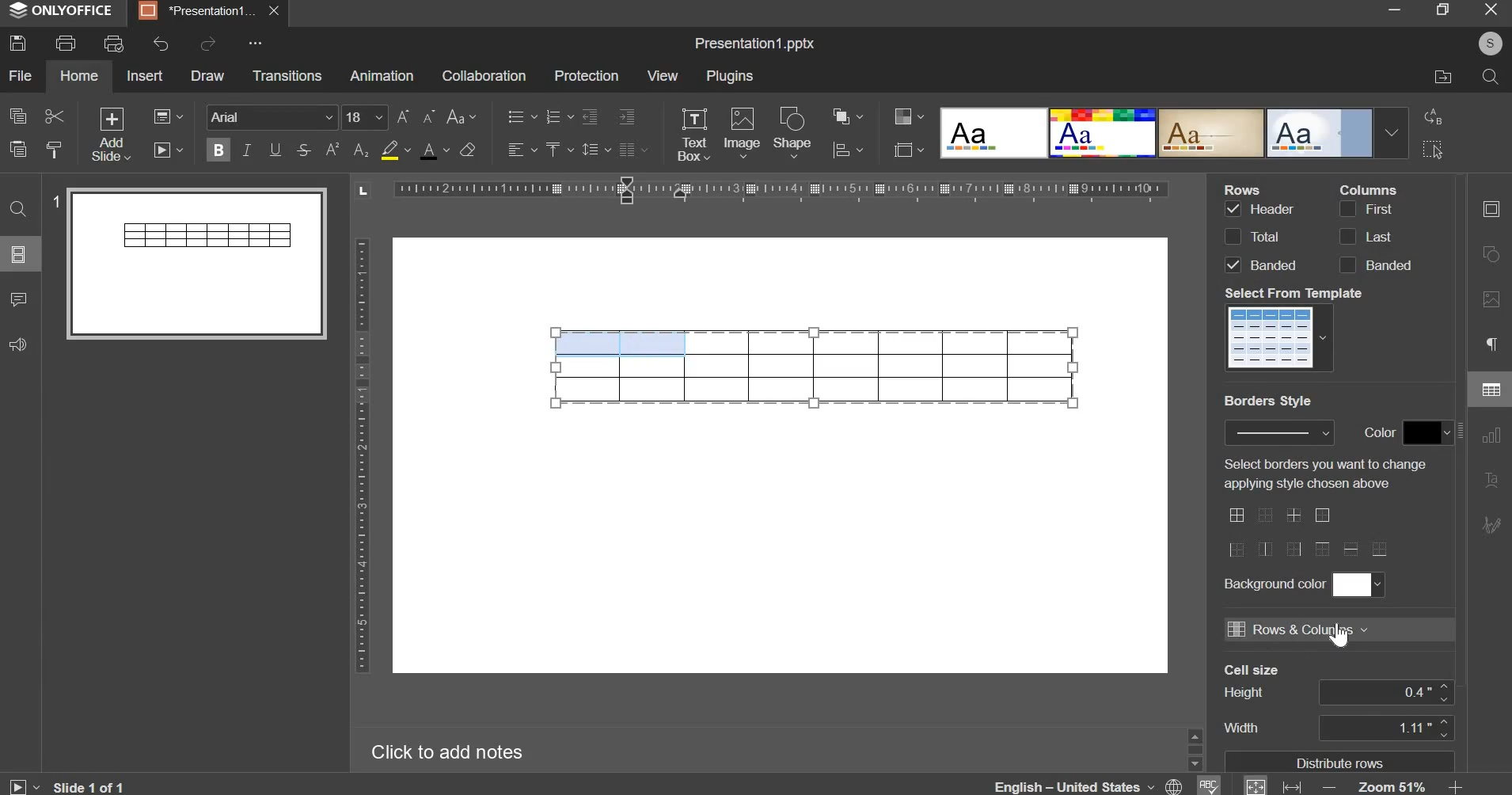  What do you see at coordinates (754, 44) in the screenshot?
I see `Title` at bounding box center [754, 44].